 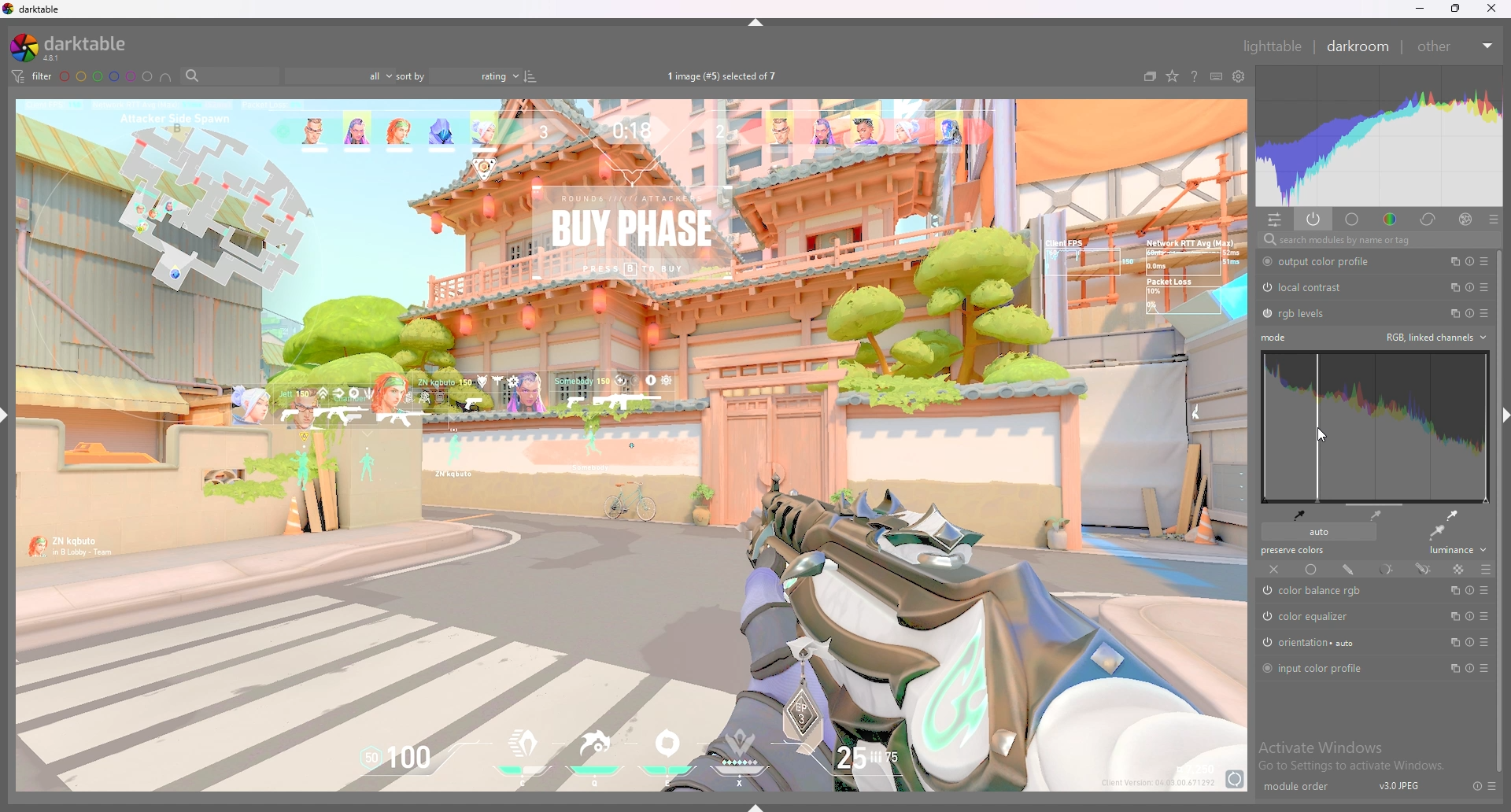 I want to click on show global preferences, so click(x=1239, y=77).